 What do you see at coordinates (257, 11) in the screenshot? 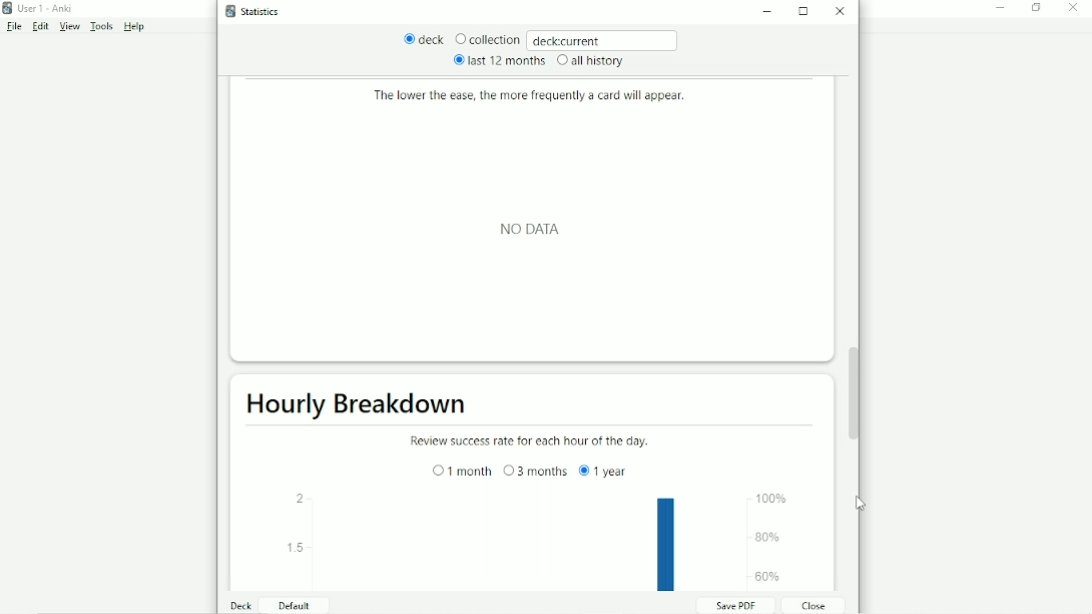
I see `Statistics` at bounding box center [257, 11].